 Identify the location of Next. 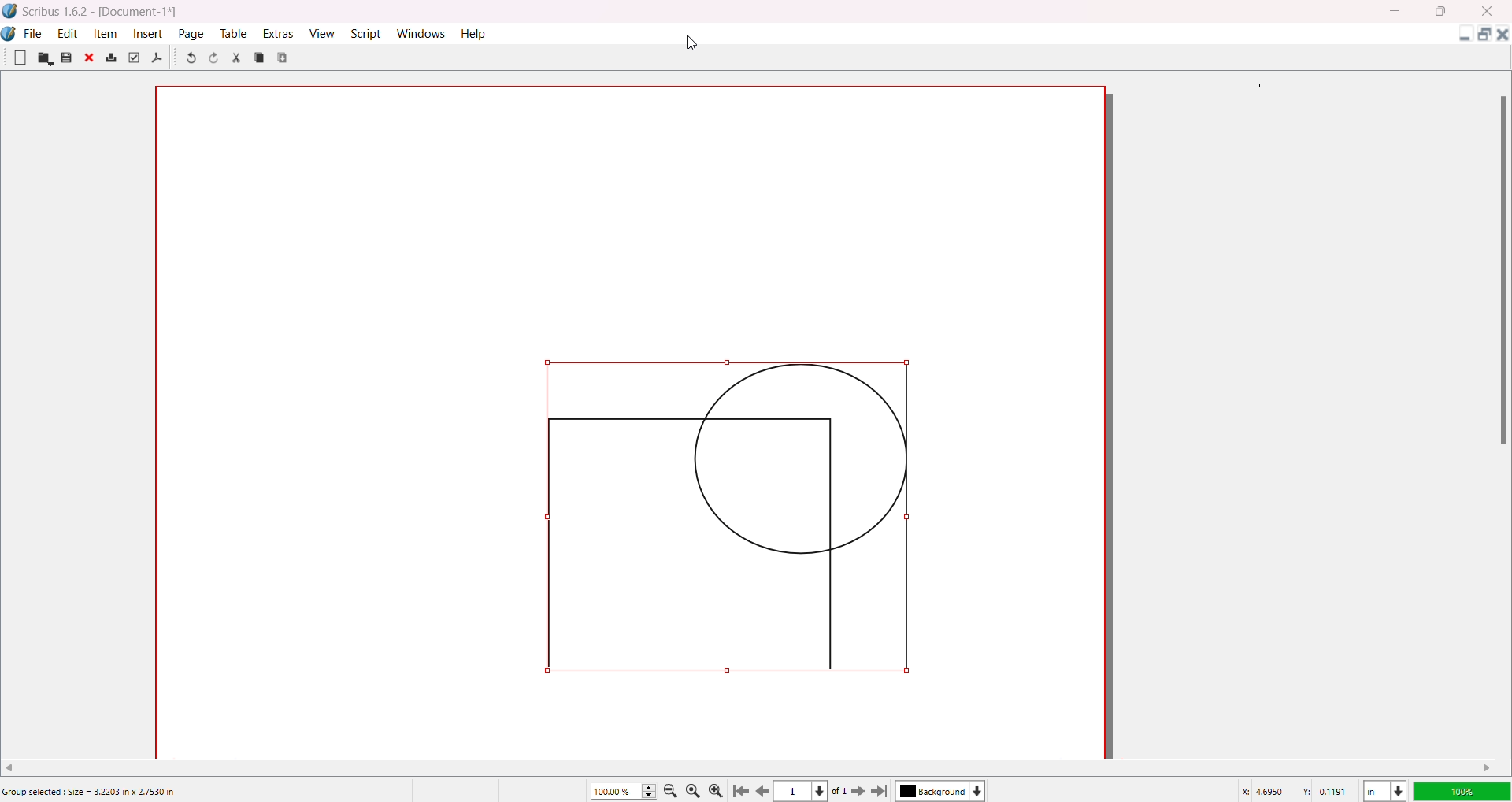
(854, 790).